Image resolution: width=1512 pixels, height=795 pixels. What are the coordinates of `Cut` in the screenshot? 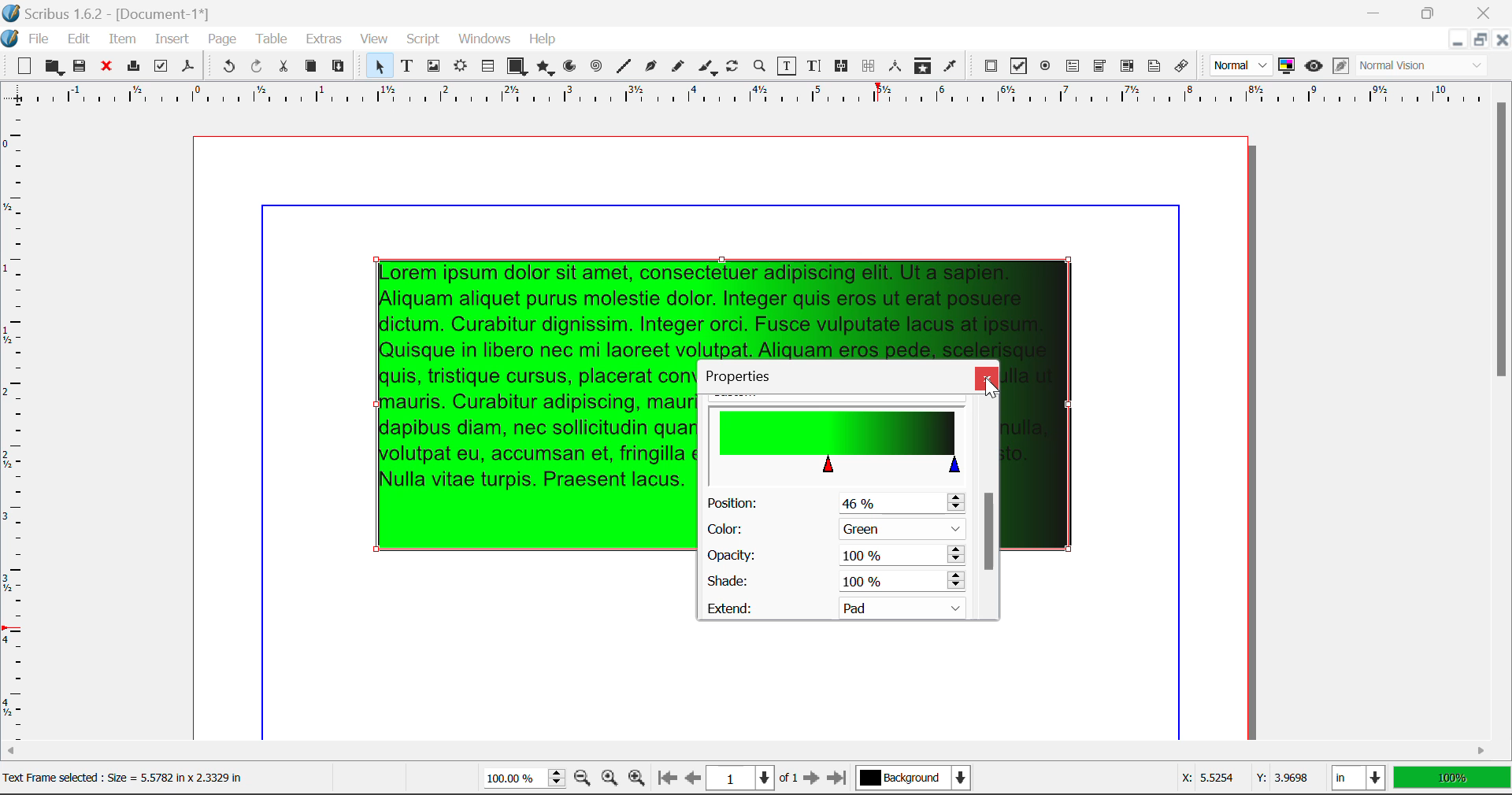 It's located at (283, 67).